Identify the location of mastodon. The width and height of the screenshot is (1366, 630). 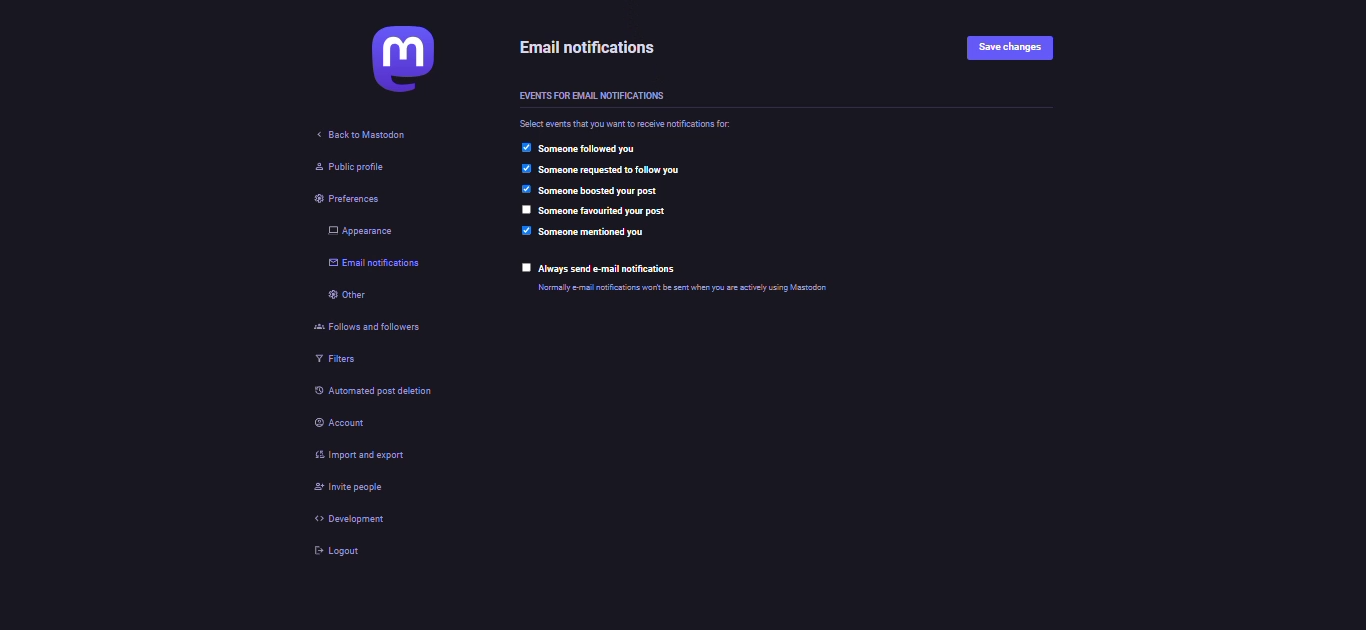
(384, 65).